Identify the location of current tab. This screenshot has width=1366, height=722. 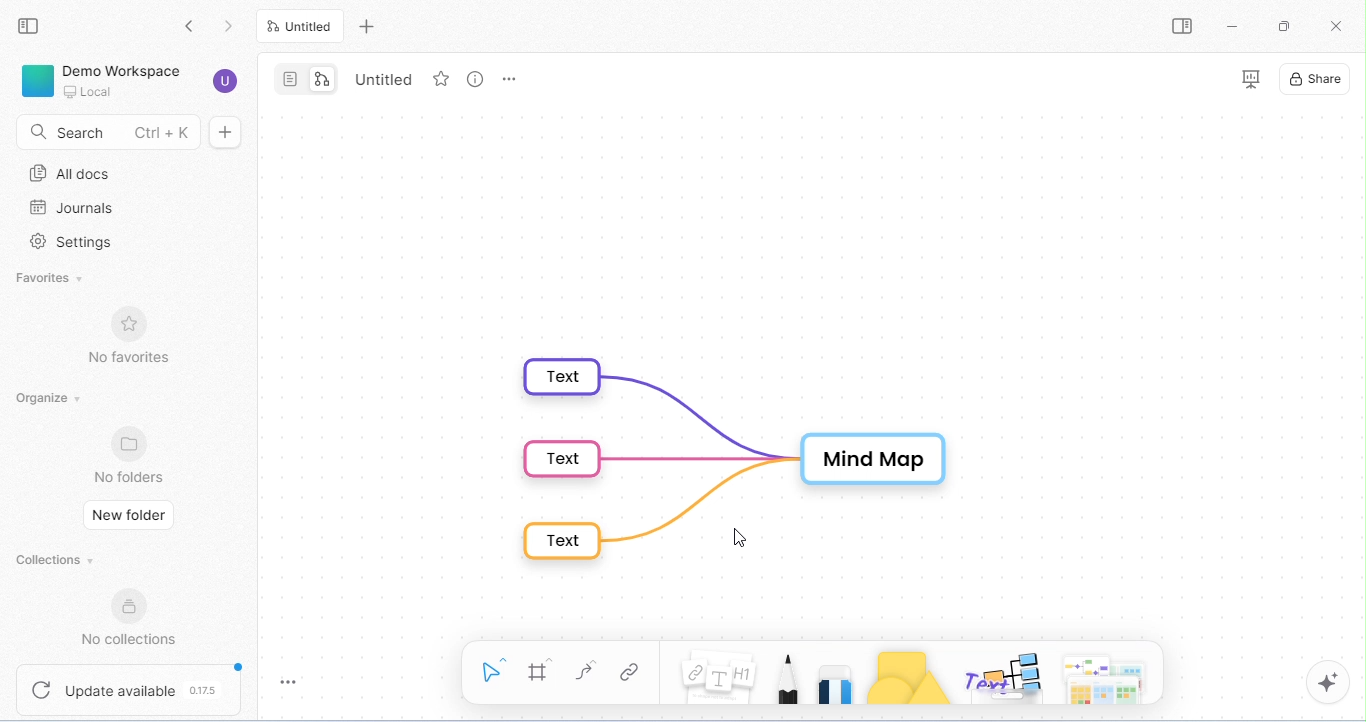
(298, 25).